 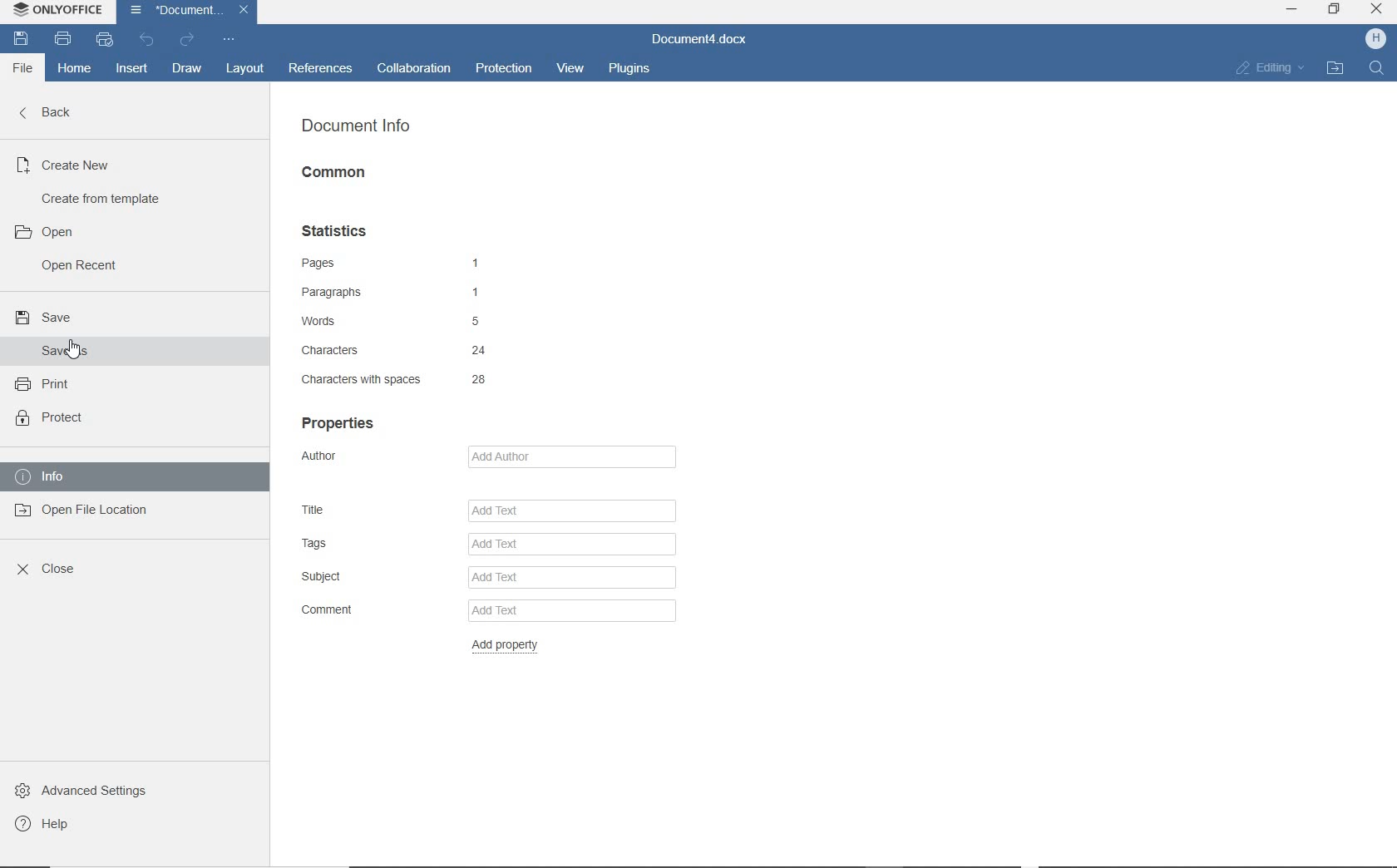 What do you see at coordinates (42, 826) in the screenshot?
I see `Help` at bounding box center [42, 826].